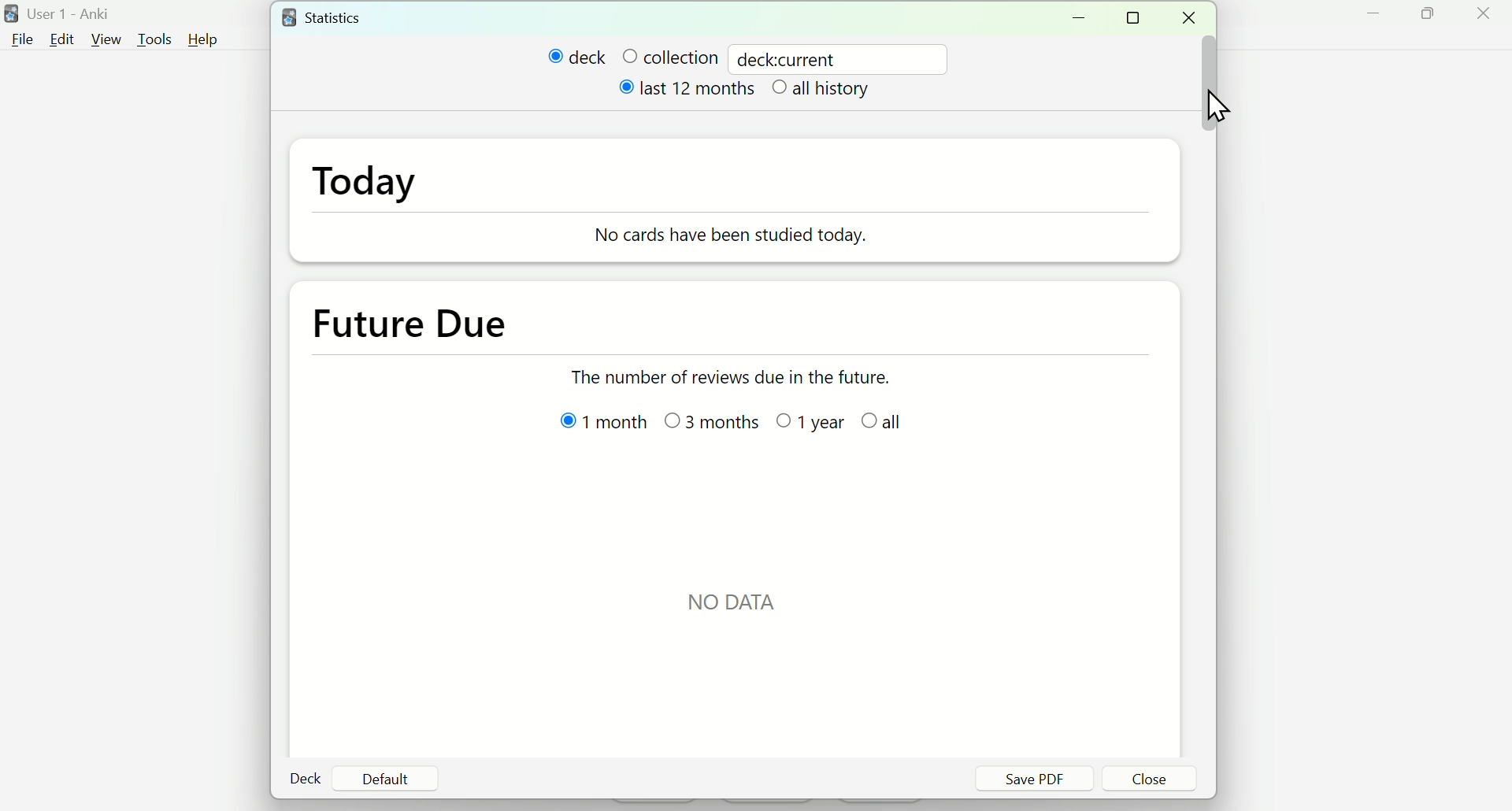 Image resolution: width=1512 pixels, height=811 pixels. What do you see at coordinates (669, 57) in the screenshot?
I see `collection` at bounding box center [669, 57].